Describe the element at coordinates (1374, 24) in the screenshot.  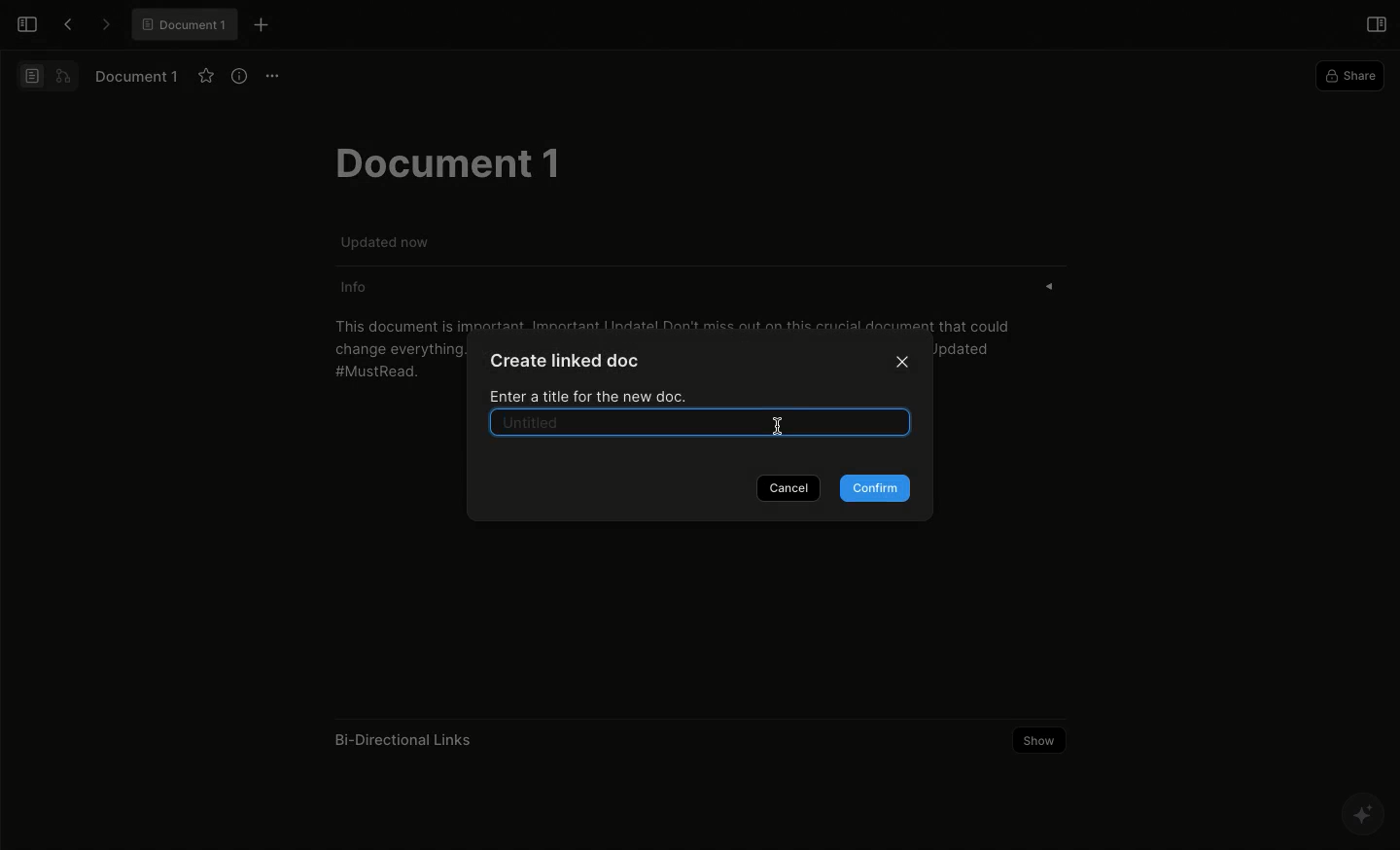
I see `Open right panel` at that location.